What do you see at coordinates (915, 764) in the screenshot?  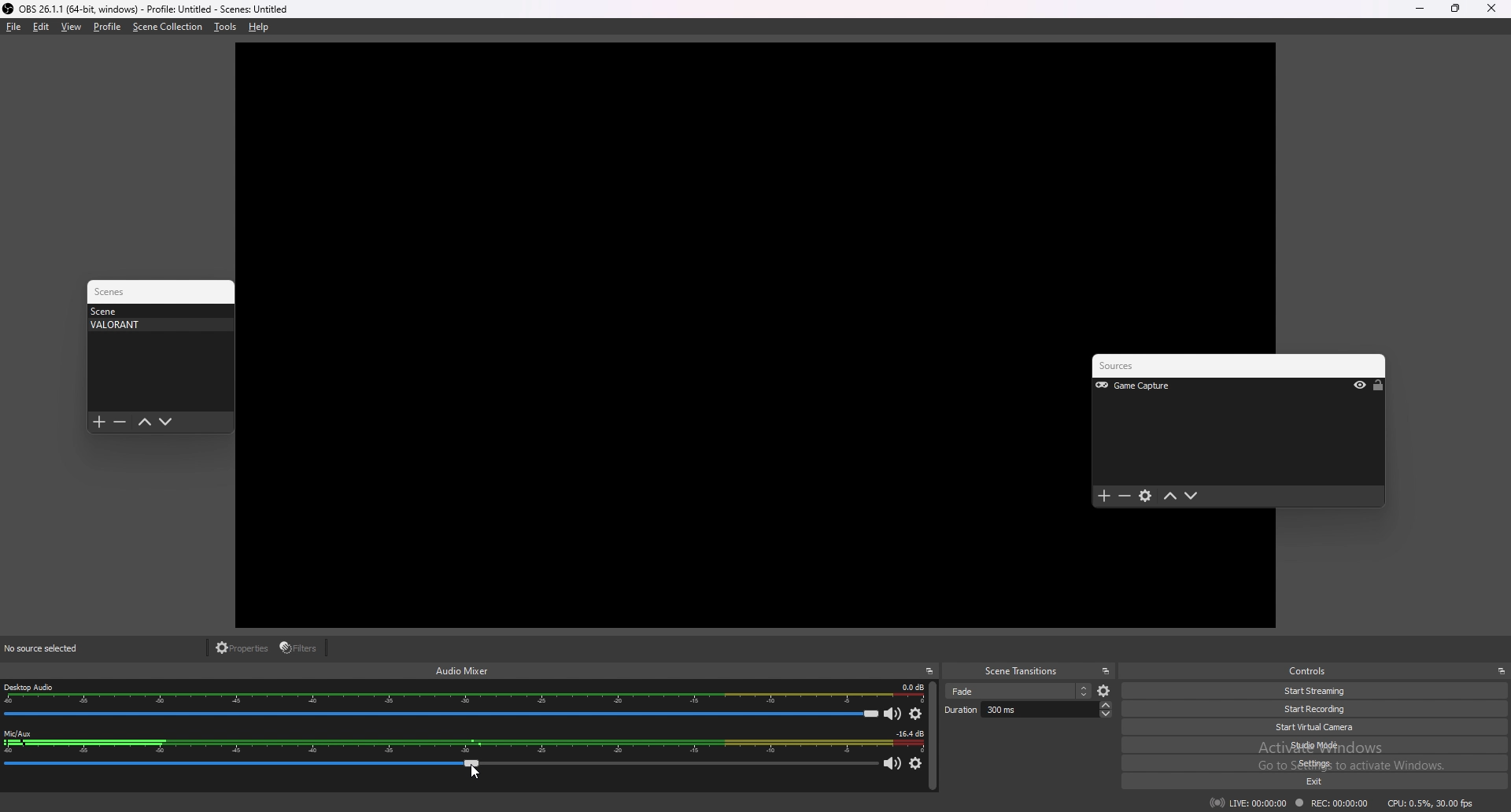 I see `mic/aux settings` at bounding box center [915, 764].